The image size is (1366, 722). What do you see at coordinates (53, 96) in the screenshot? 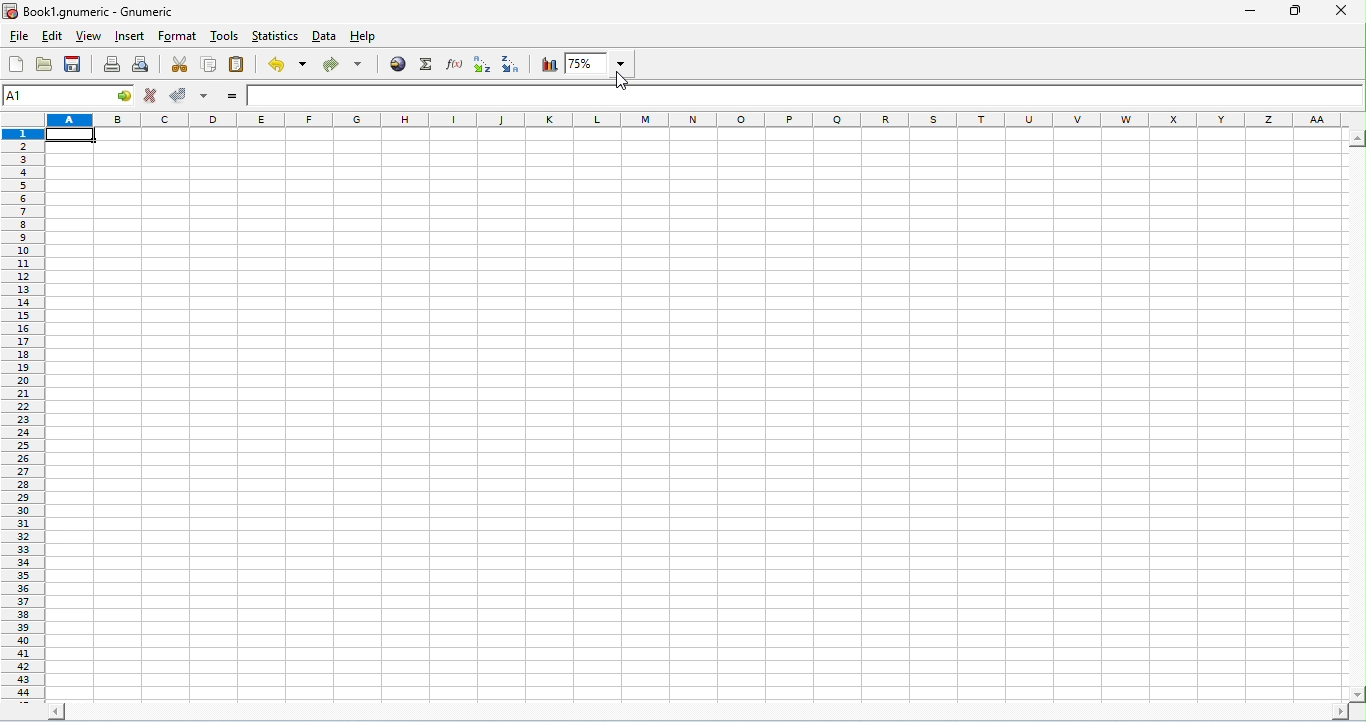
I see `selected cell number` at bounding box center [53, 96].